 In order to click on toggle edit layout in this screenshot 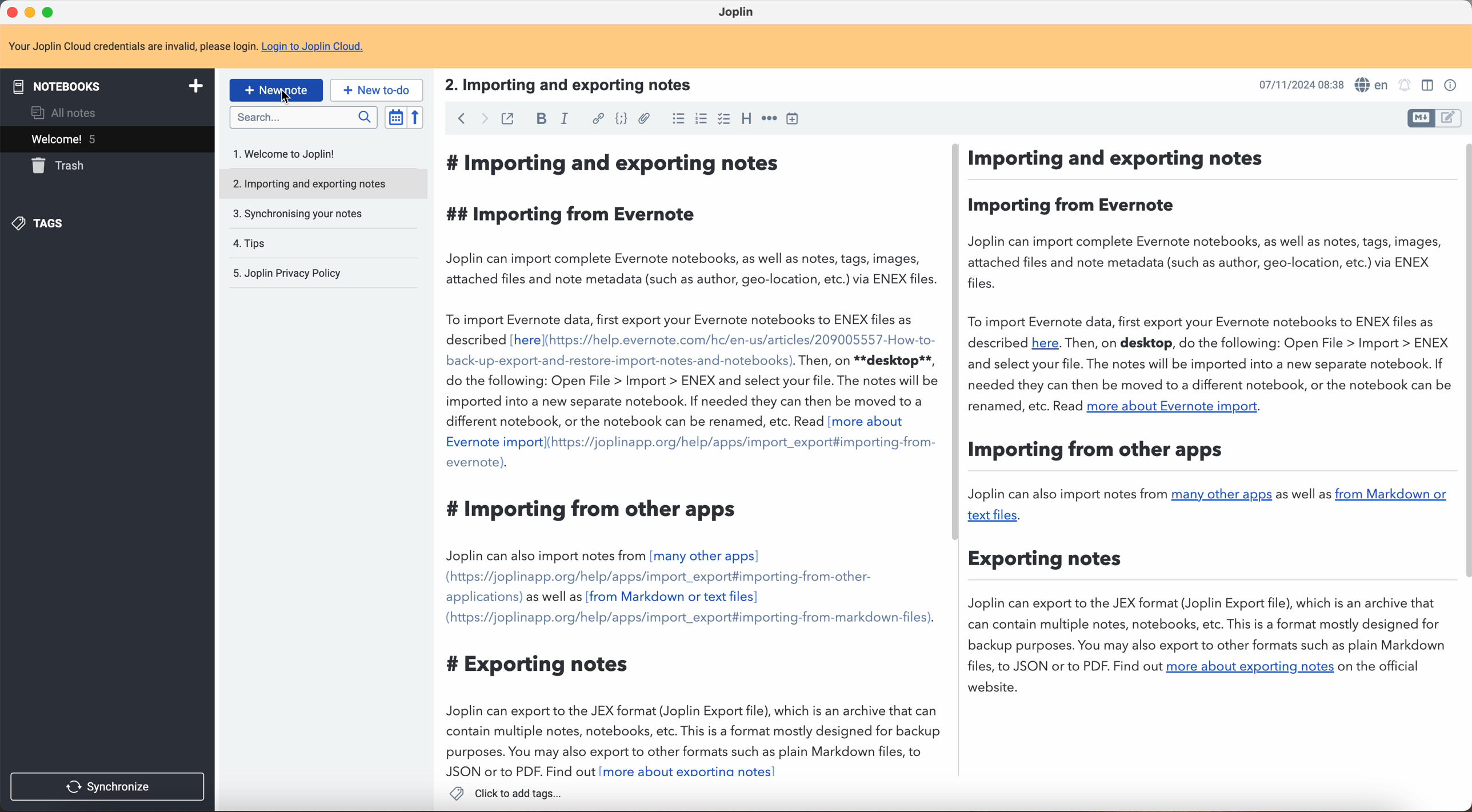, I will do `click(1430, 85)`.